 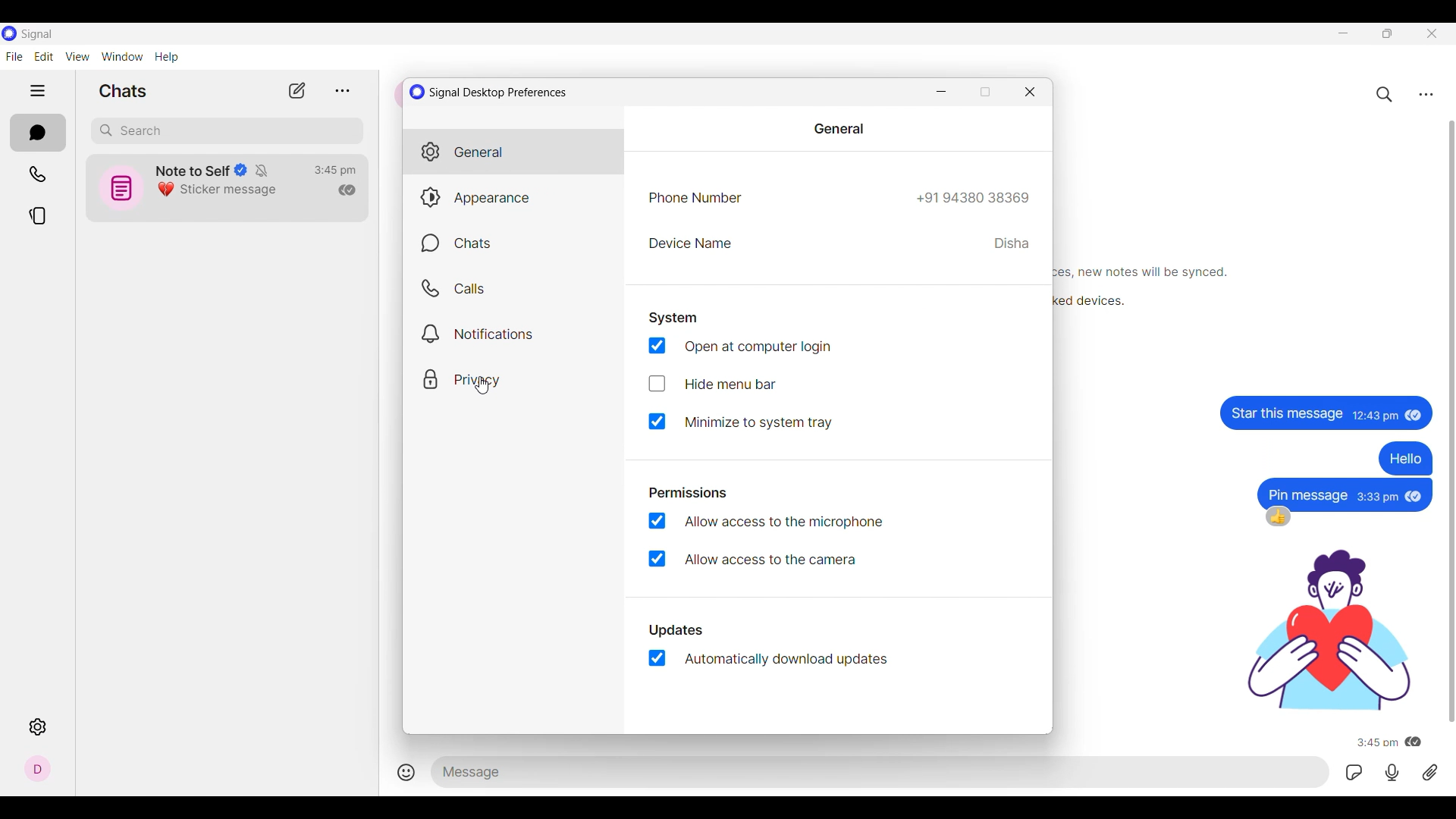 What do you see at coordinates (1432, 33) in the screenshot?
I see `Close interface` at bounding box center [1432, 33].